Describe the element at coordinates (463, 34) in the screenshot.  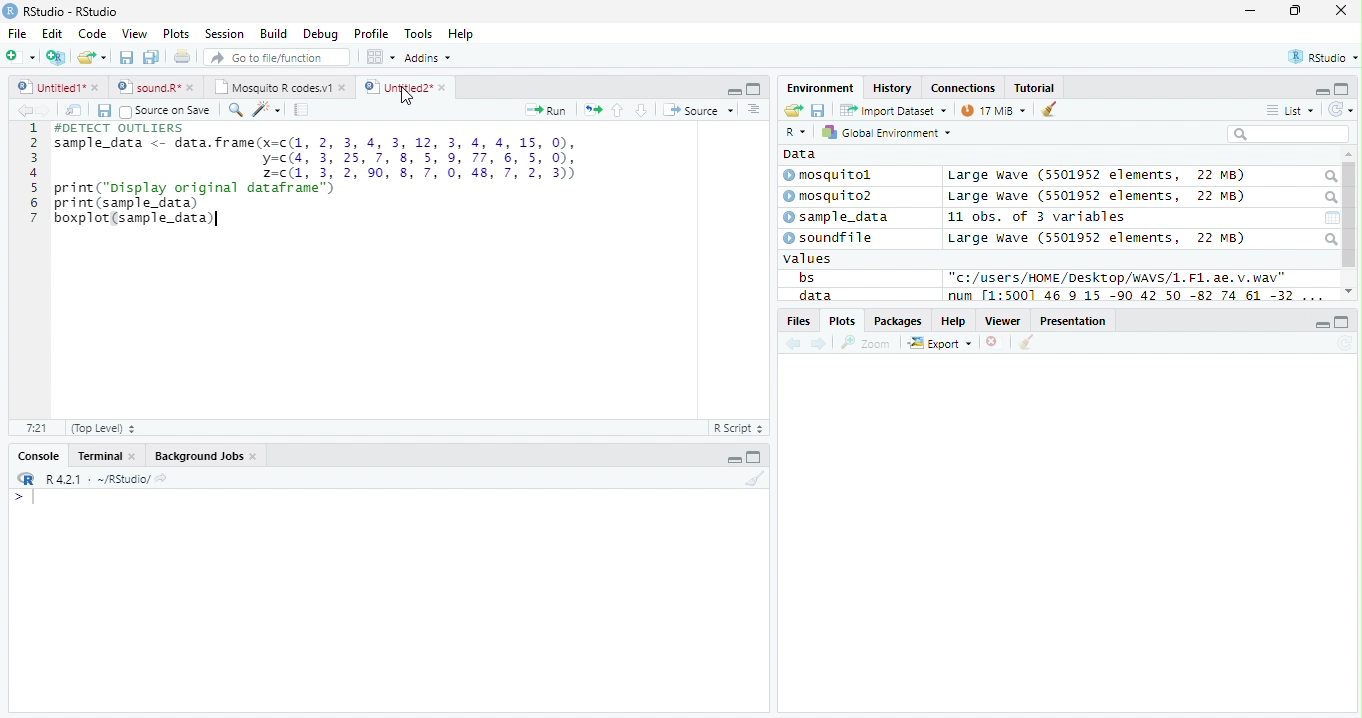
I see `Help` at that location.